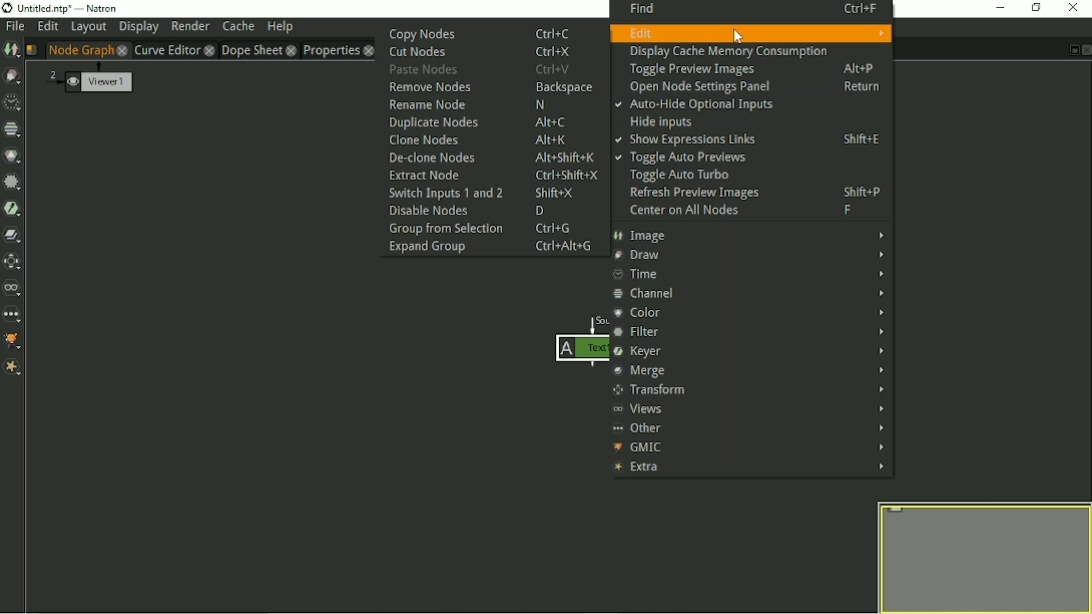 This screenshot has height=614, width=1092. Describe the element at coordinates (13, 209) in the screenshot. I see `Keyer` at that location.